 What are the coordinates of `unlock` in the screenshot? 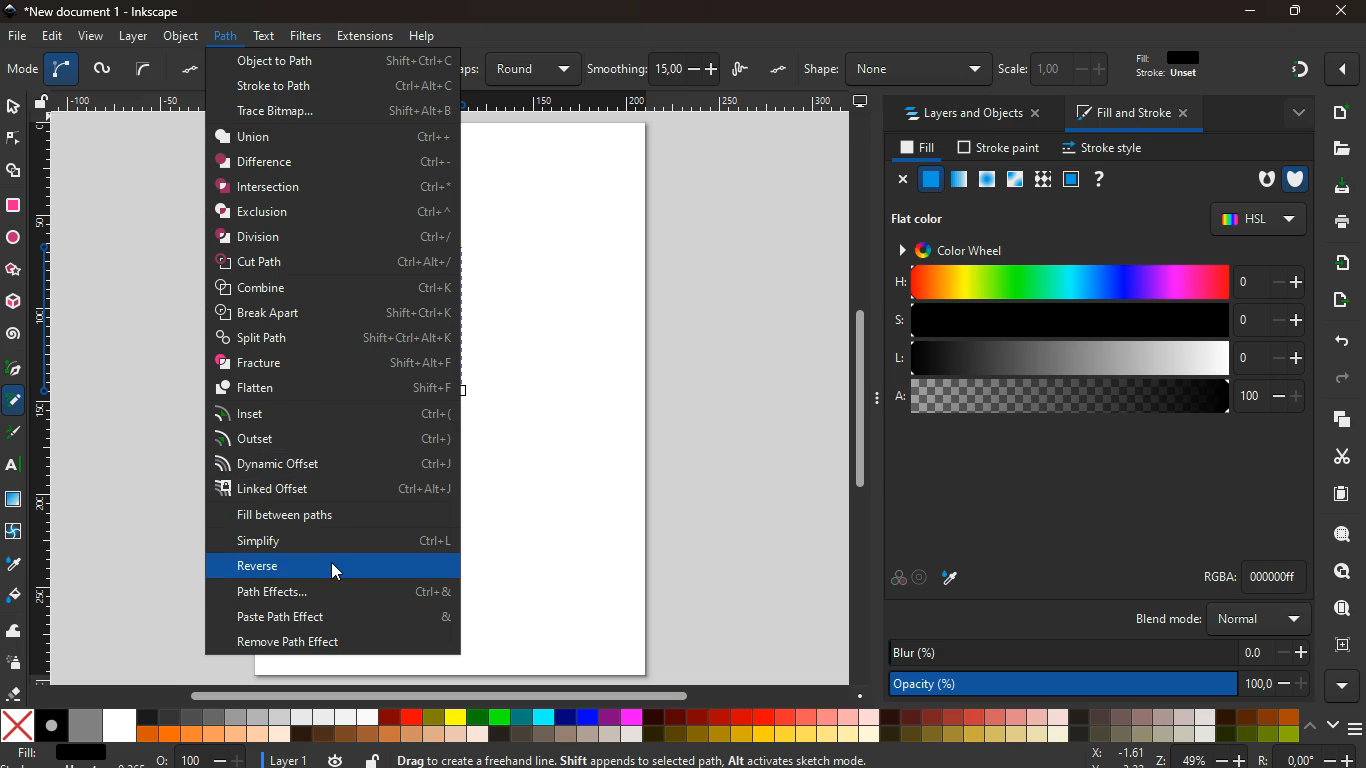 It's located at (373, 759).